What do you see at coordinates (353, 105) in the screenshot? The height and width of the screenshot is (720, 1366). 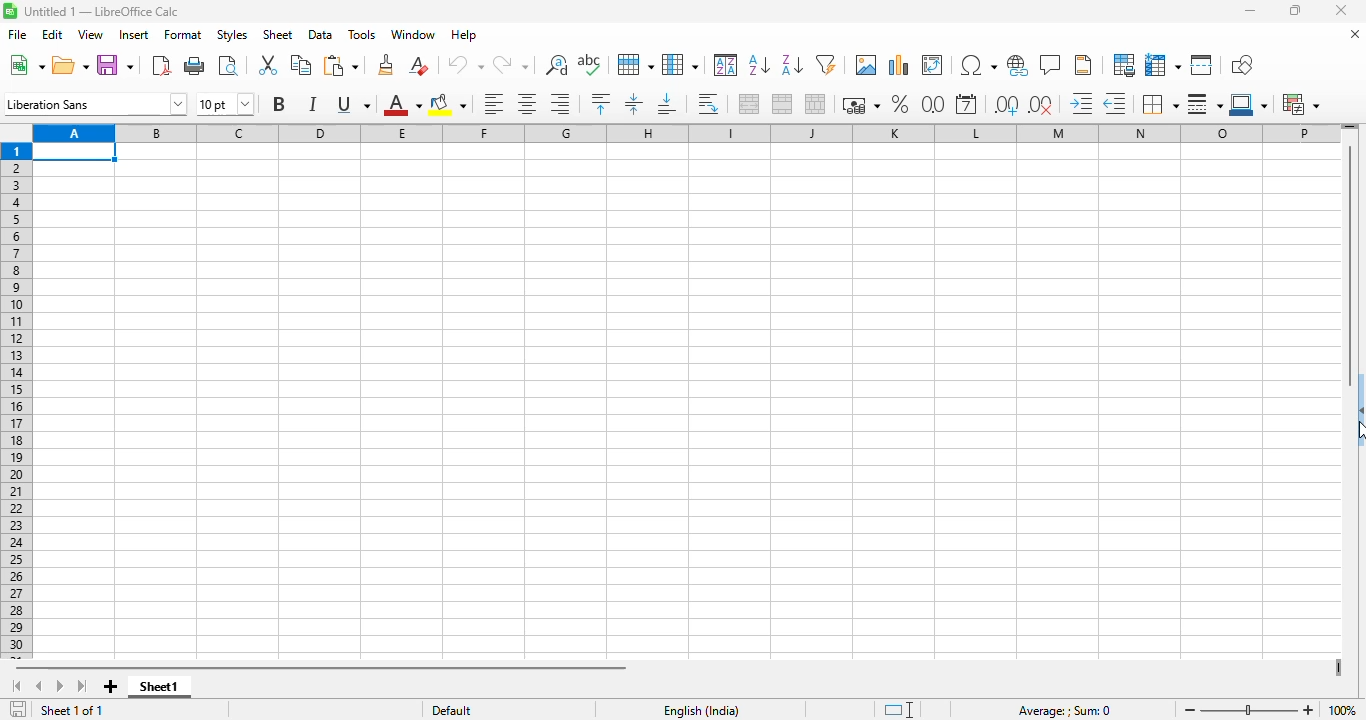 I see `underline` at bounding box center [353, 105].